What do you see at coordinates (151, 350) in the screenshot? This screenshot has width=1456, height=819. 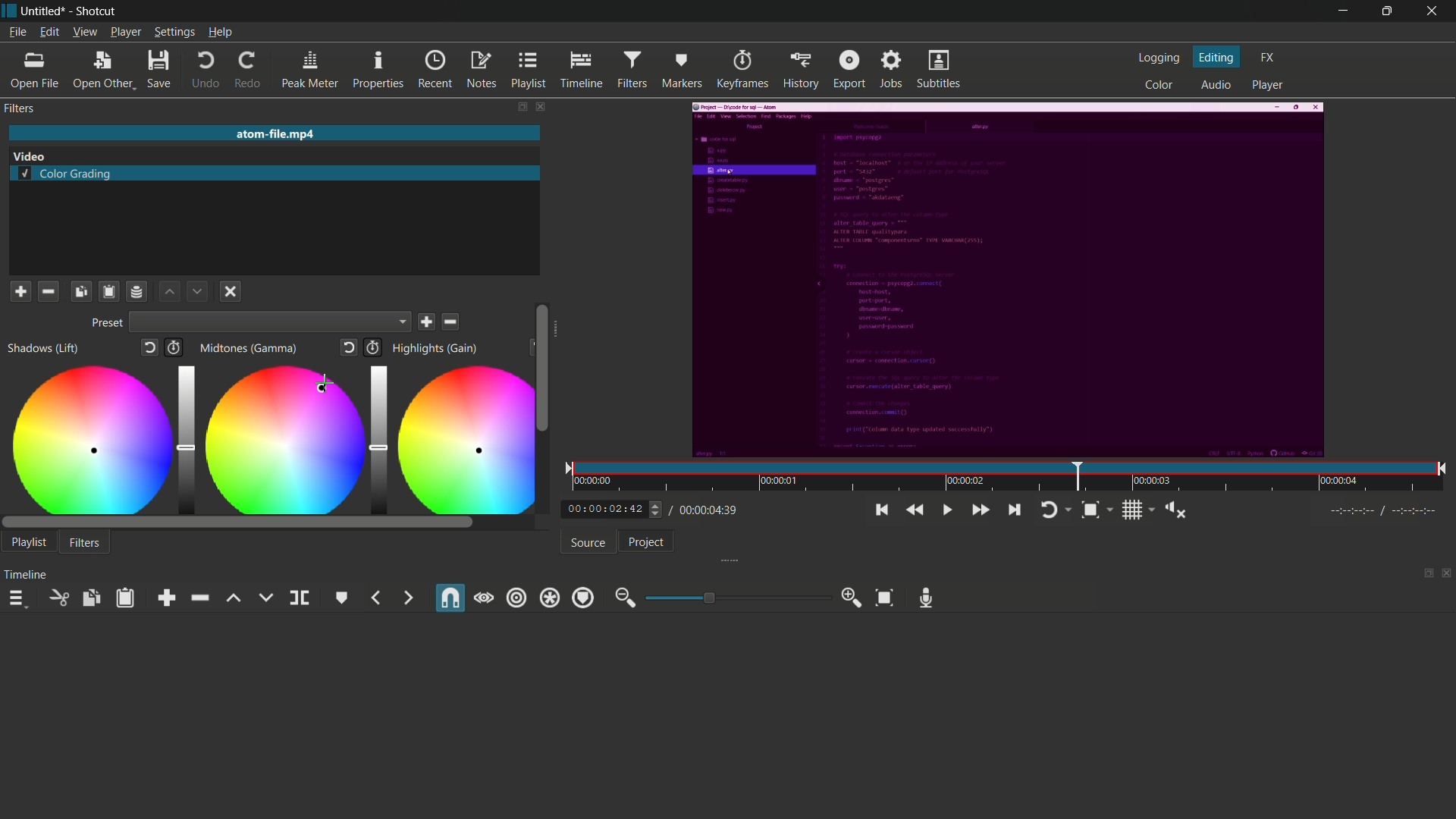 I see `reset to default` at bounding box center [151, 350].